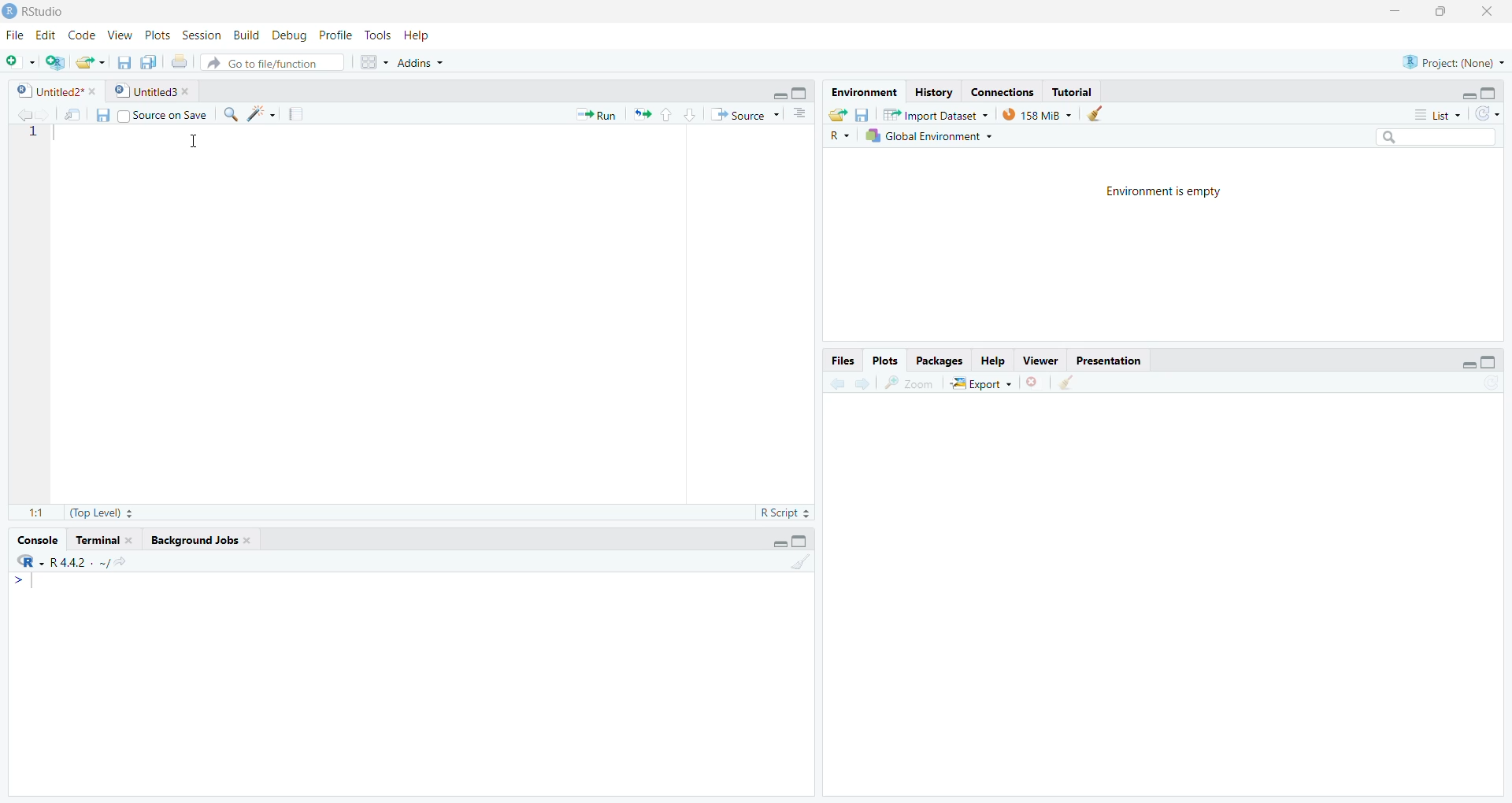  Describe the element at coordinates (1477, 358) in the screenshot. I see `` at that location.